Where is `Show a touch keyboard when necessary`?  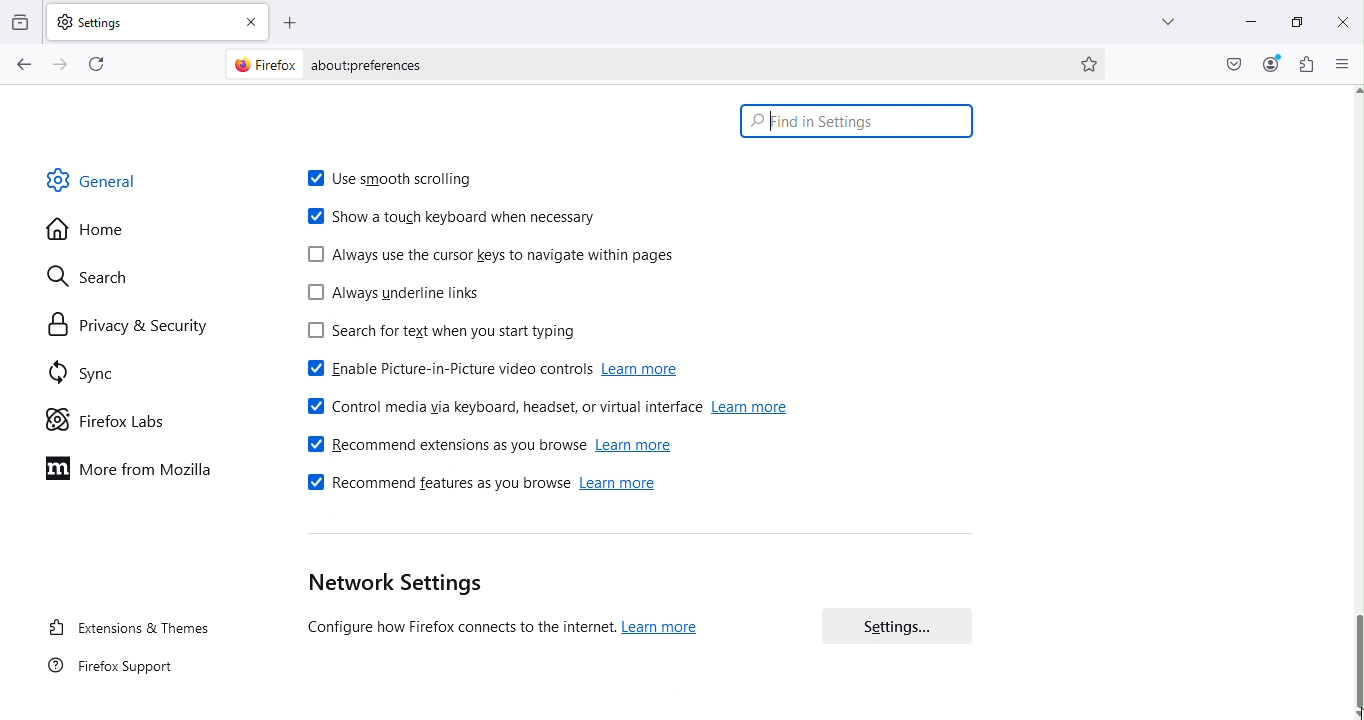
Show a touch keyboard when necessary is located at coordinates (454, 218).